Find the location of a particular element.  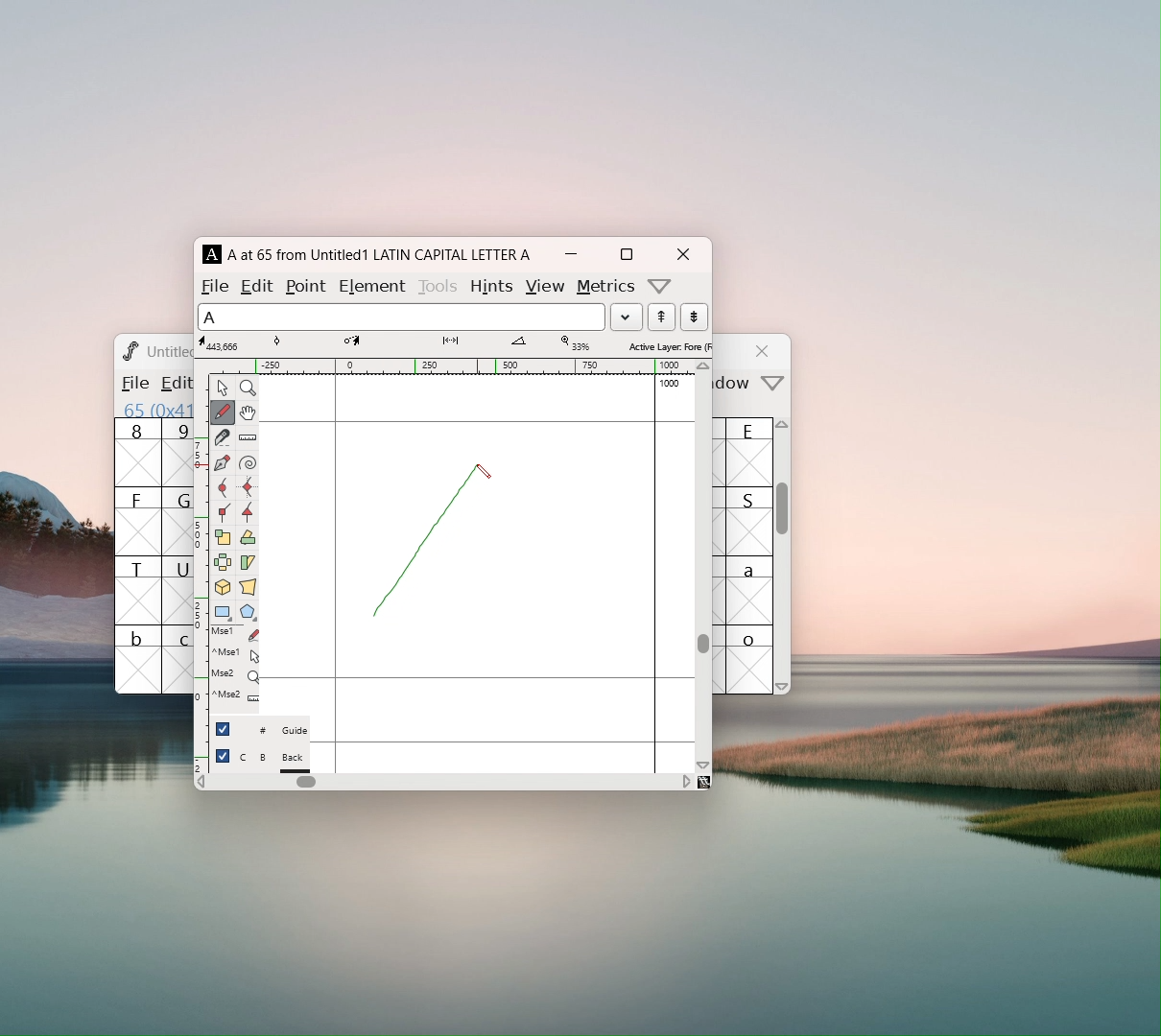

8 is located at coordinates (137, 453).